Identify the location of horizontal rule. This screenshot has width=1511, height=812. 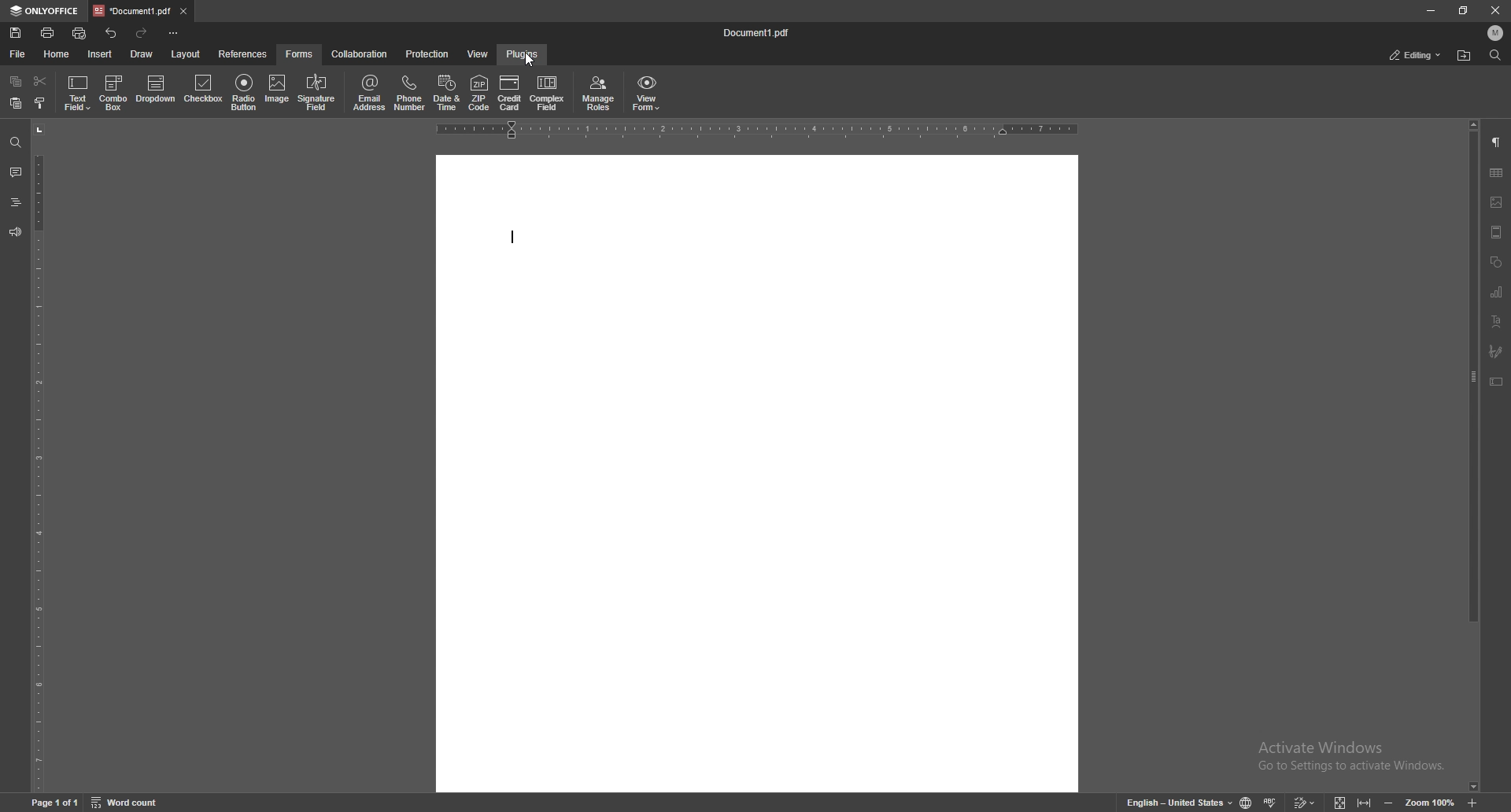
(757, 129).